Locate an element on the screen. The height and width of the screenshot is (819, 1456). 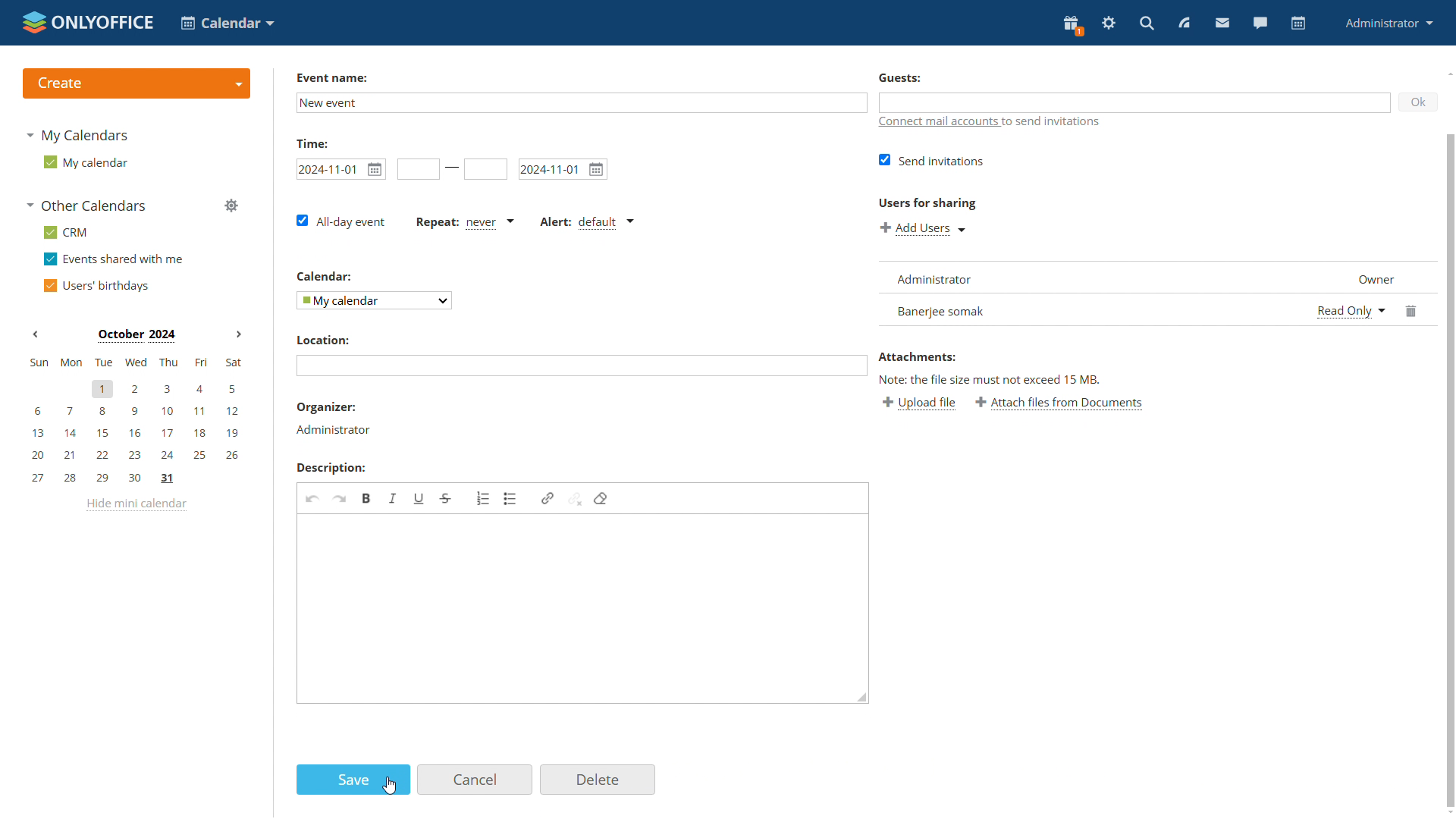
insert/remove bulletted list is located at coordinates (510, 498).